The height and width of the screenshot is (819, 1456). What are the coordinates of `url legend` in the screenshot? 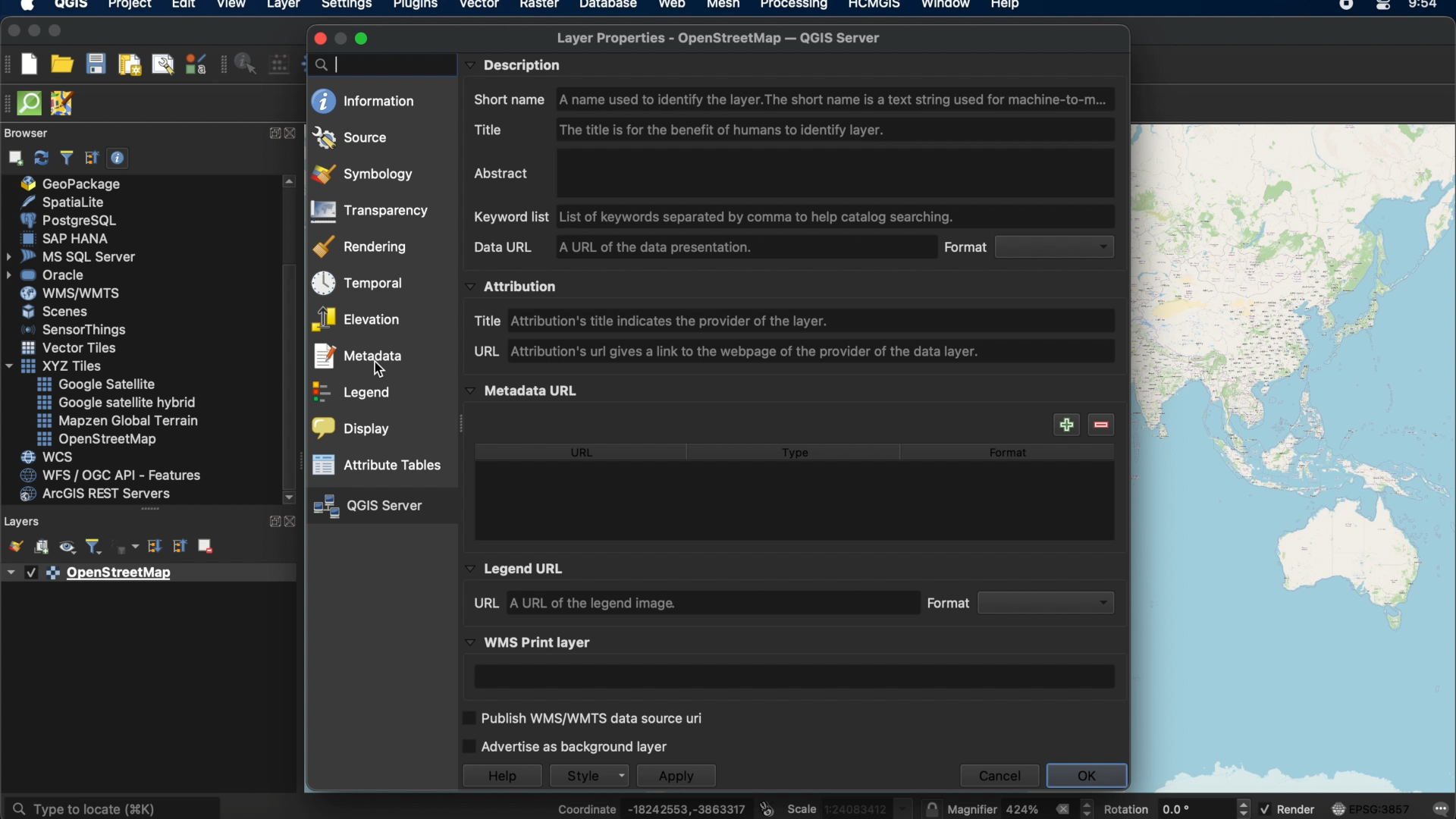 It's located at (574, 603).